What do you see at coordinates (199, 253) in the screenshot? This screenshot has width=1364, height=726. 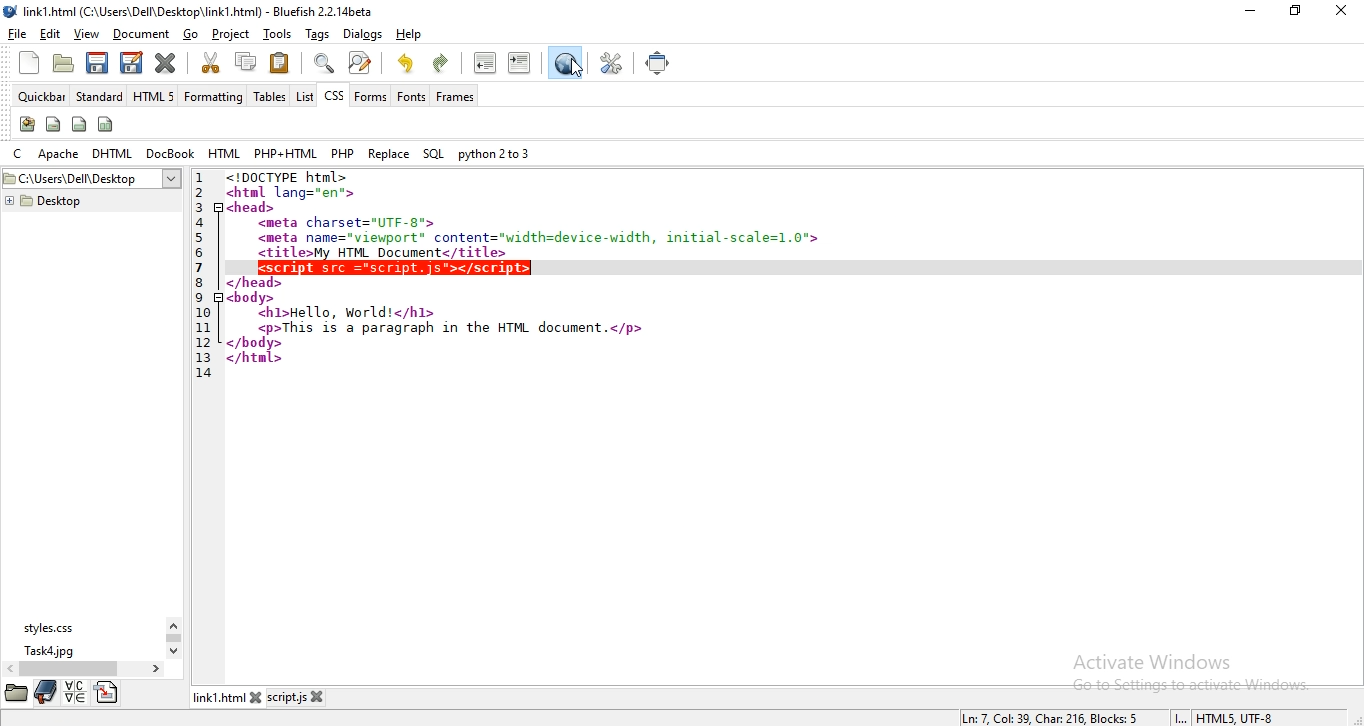 I see `6` at bounding box center [199, 253].